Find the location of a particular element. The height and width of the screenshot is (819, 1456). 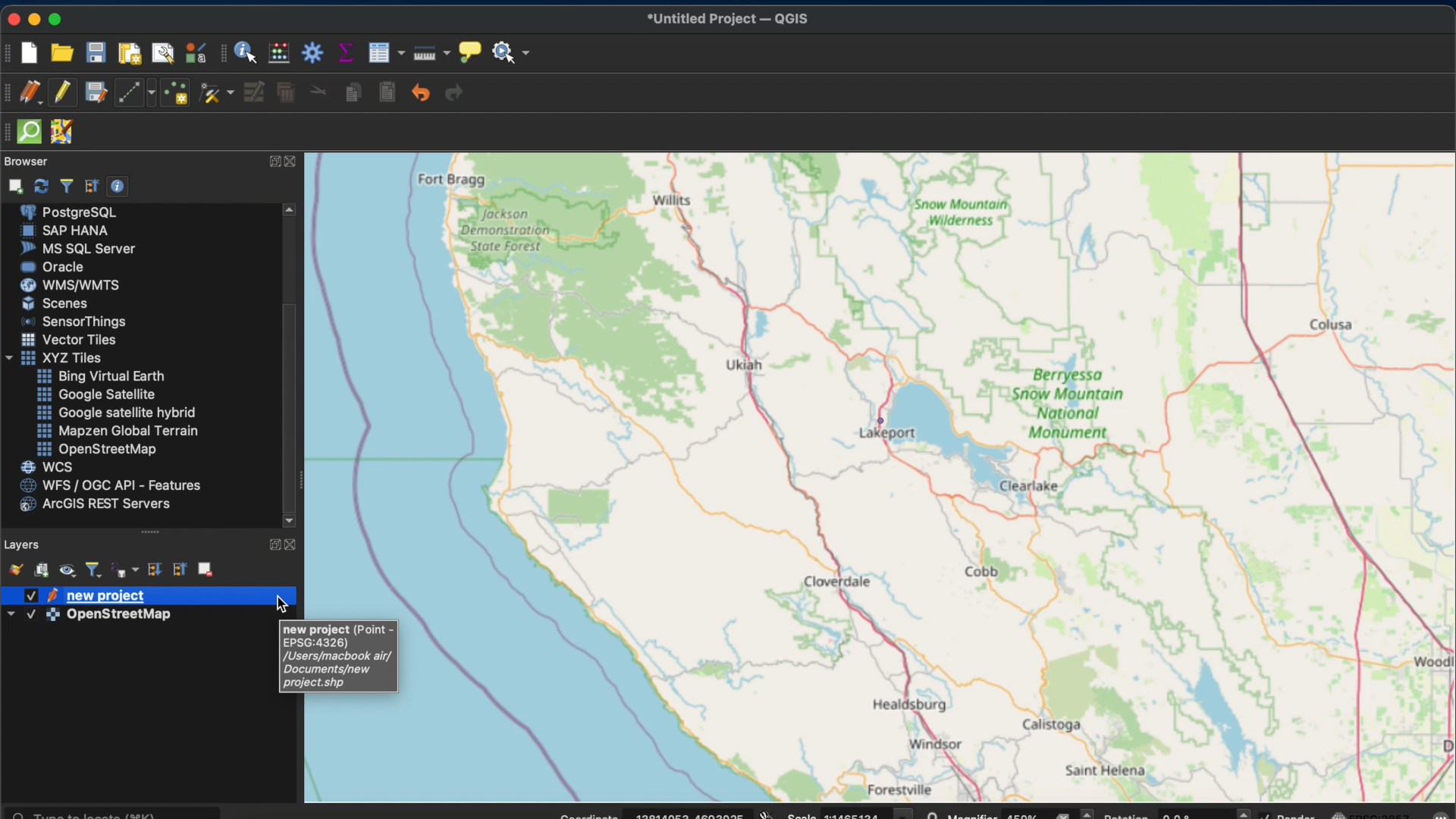

tool tip is located at coordinates (340, 657).